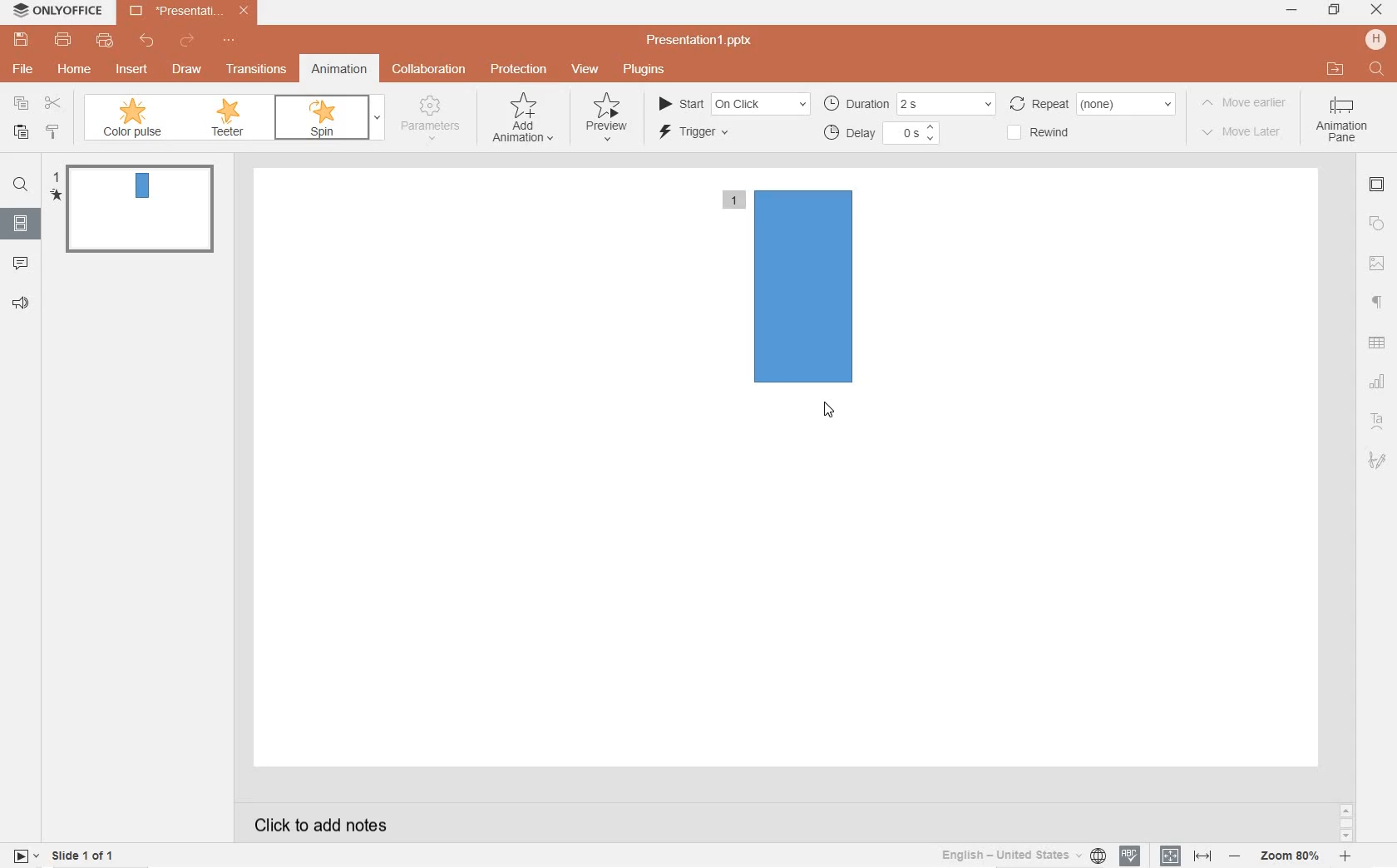 The image size is (1397, 868). Describe the element at coordinates (340, 70) in the screenshot. I see `animation` at that location.